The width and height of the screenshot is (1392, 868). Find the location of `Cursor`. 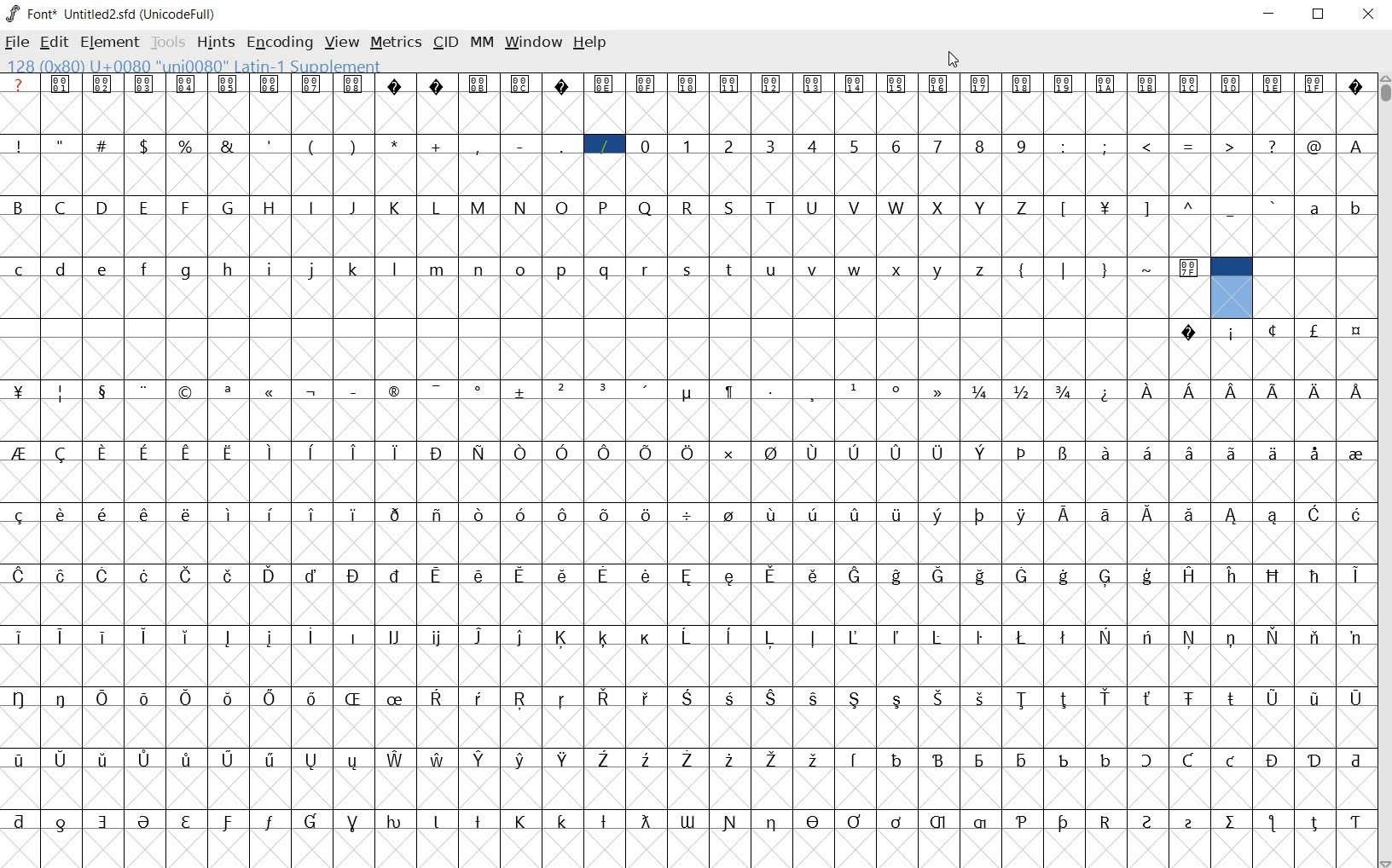

Cursor is located at coordinates (952, 59).